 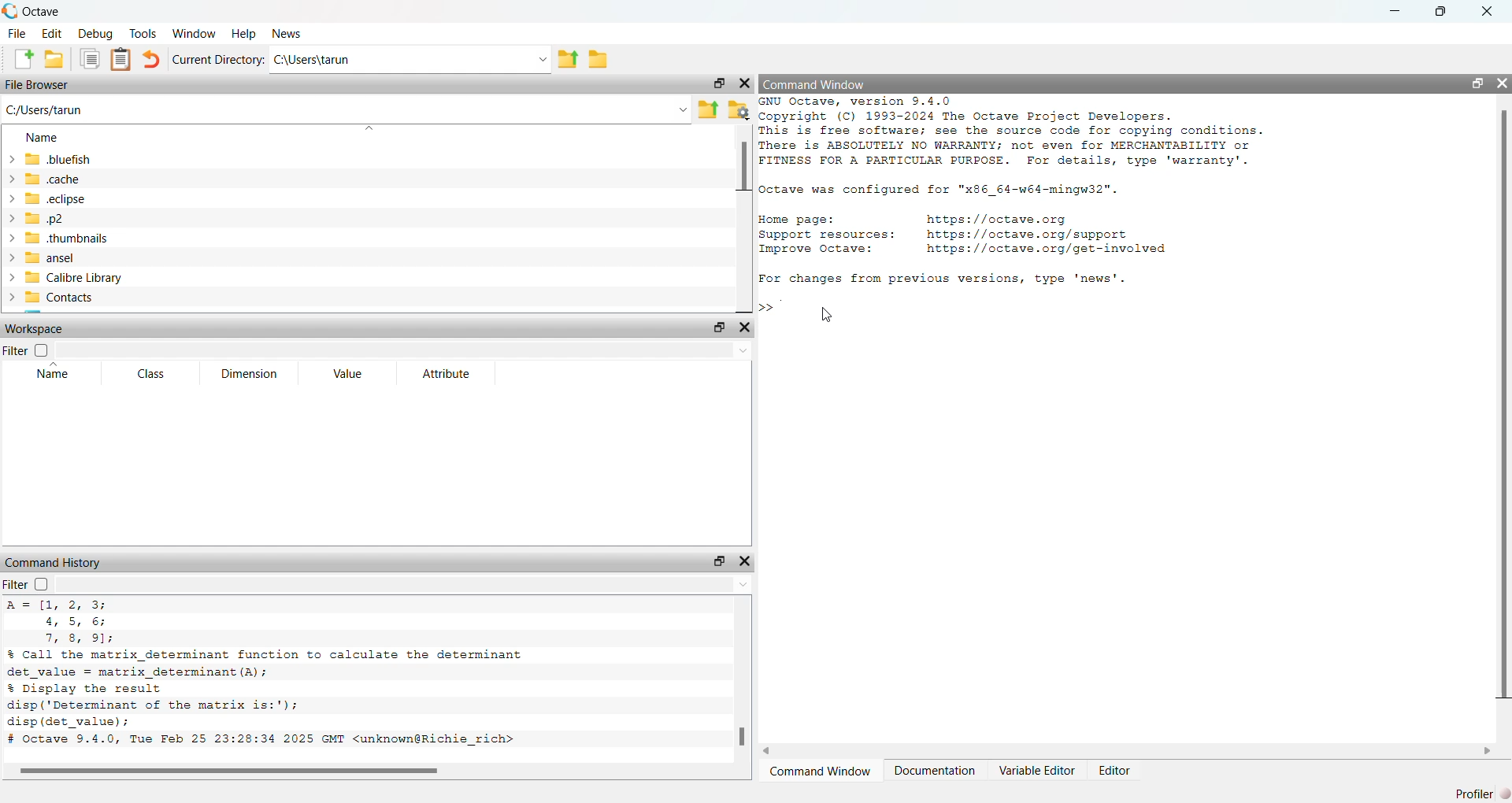 I want to click on scrollbar, so click(x=354, y=771).